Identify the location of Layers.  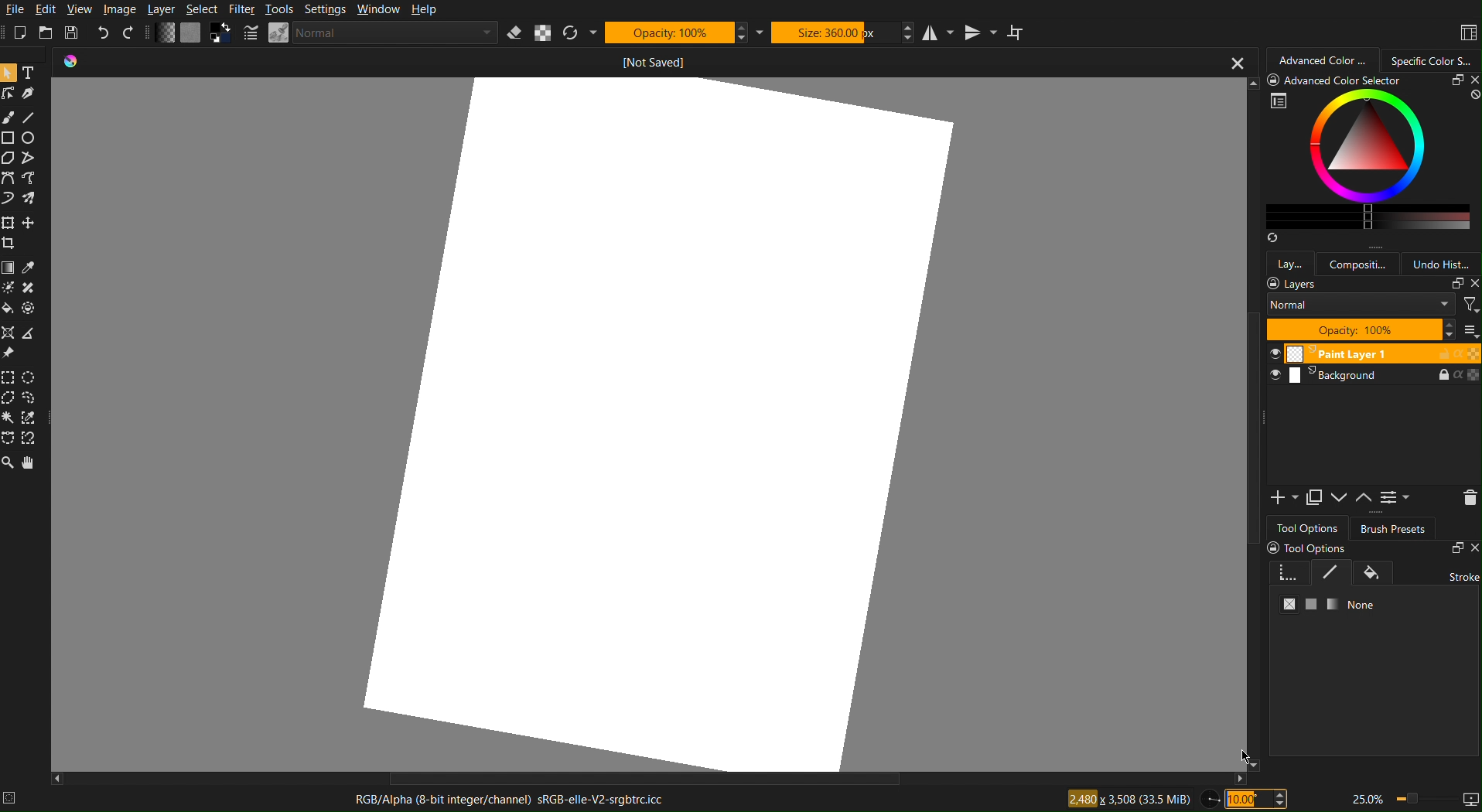
(1289, 262).